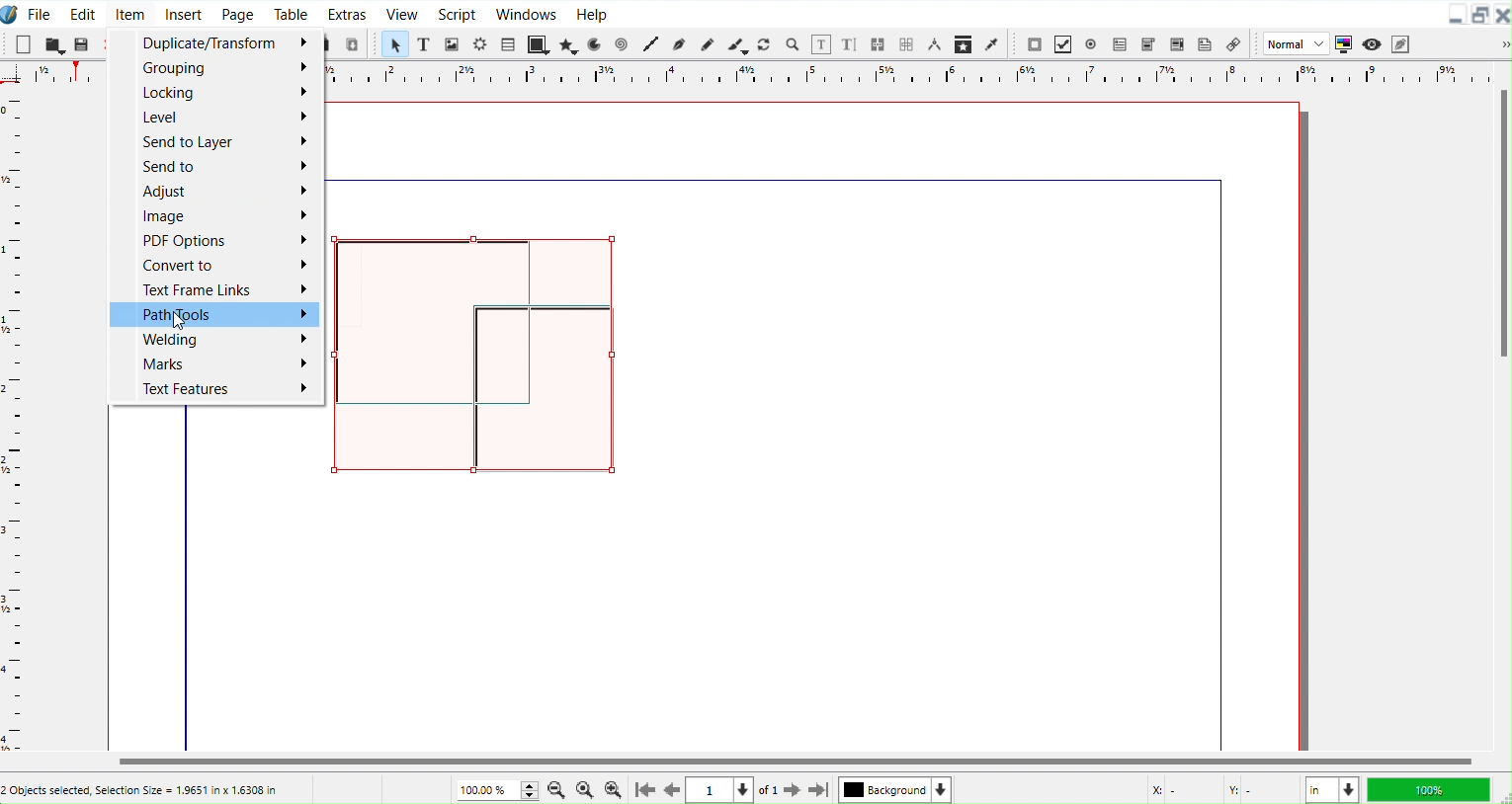 This screenshot has height=804, width=1512. I want to click on Poligon selected : Size = 1.3755 in x 1.1558 in’, so click(140, 789).